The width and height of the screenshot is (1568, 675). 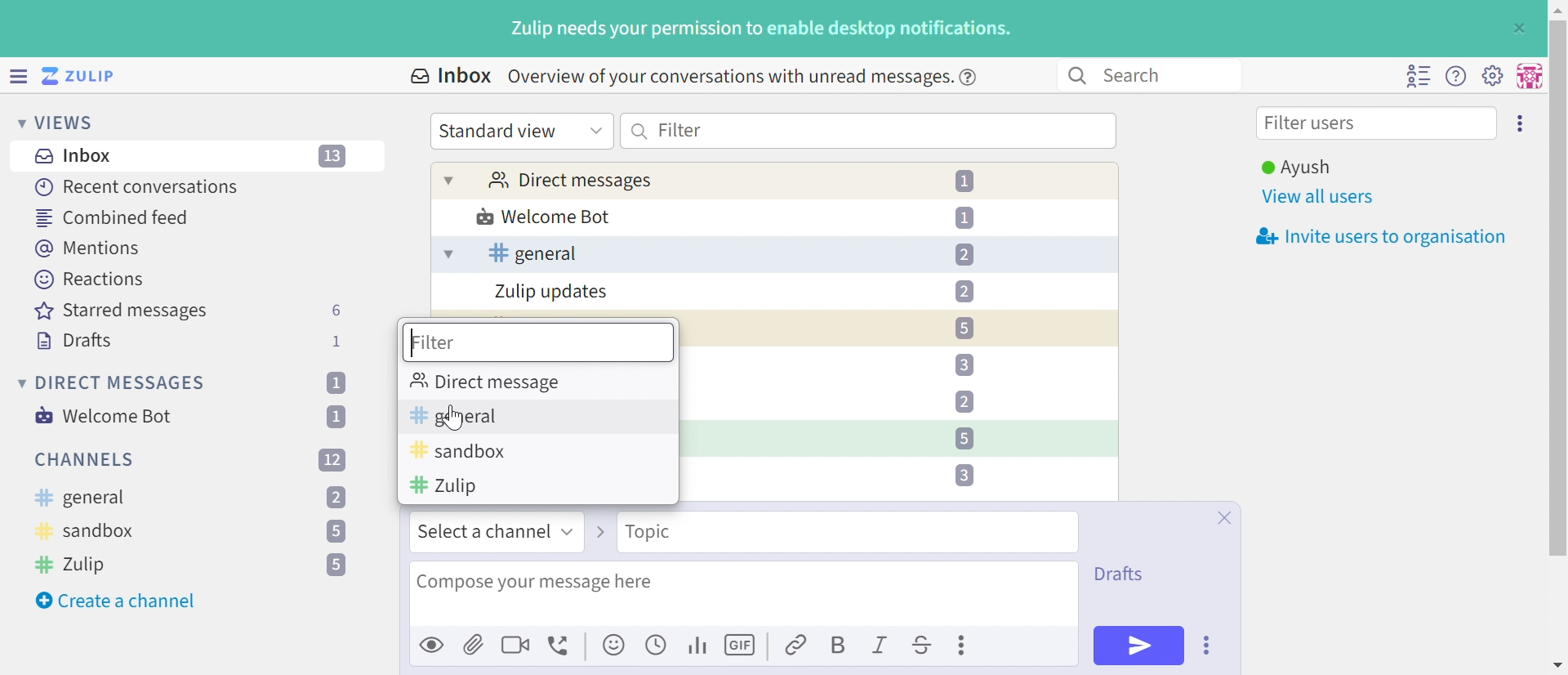 What do you see at coordinates (963, 365) in the screenshot?
I see `3` at bounding box center [963, 365].